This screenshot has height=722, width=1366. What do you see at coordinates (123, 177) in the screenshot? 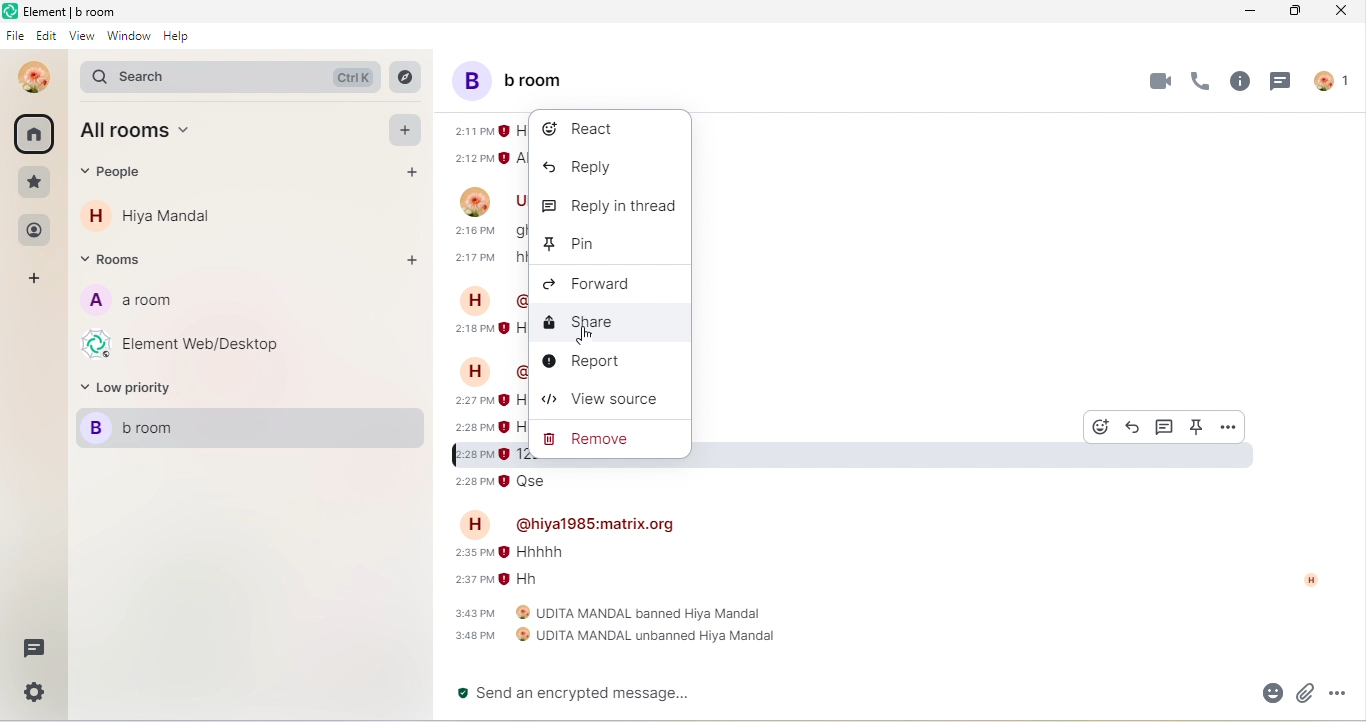
I see `people` at bounding box center [123, 177].